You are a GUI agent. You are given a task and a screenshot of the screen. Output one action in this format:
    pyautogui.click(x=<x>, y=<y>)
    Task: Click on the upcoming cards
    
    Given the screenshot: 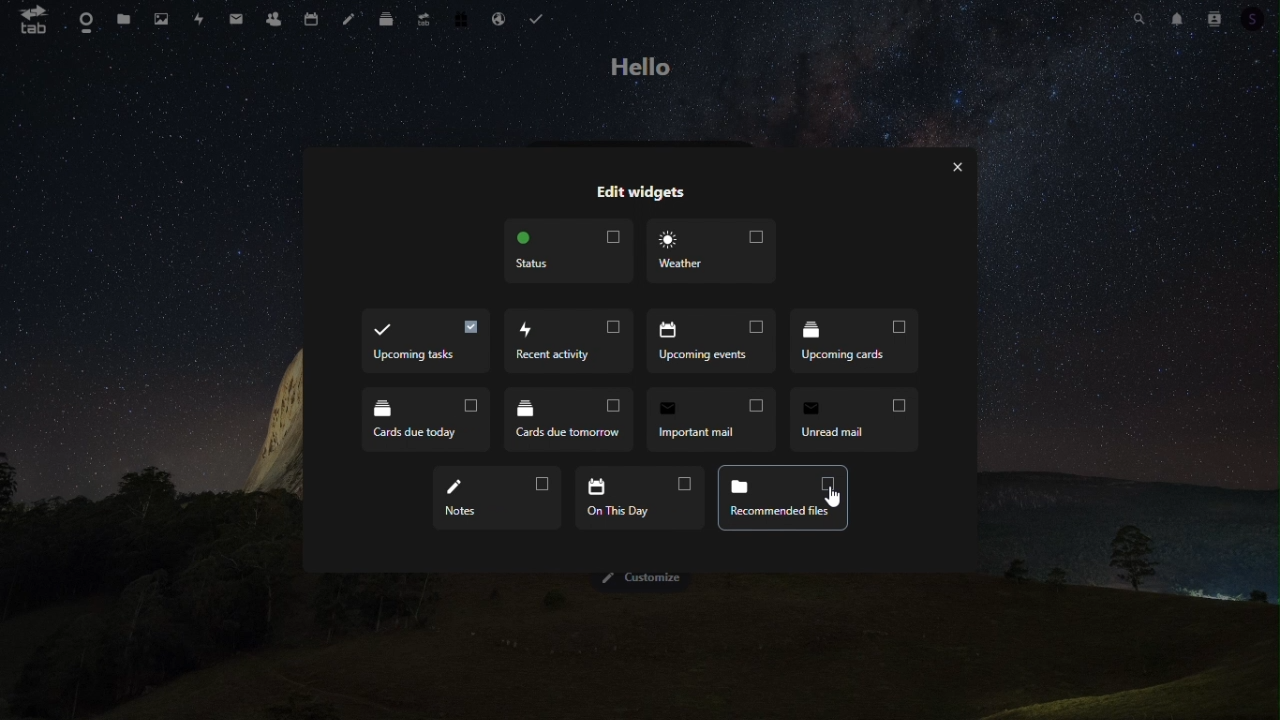 What is the action you would take?
    pyautogui.click(x=714, y=344)
    